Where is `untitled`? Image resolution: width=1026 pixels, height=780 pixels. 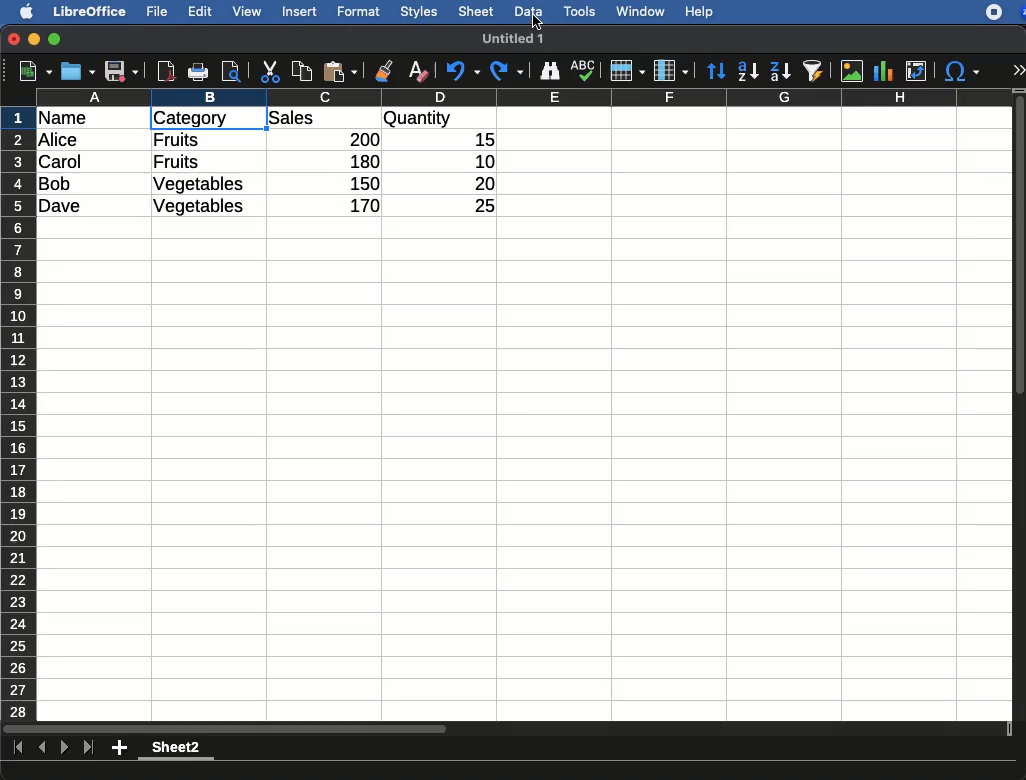 untitled is located at coordinates (505, 38).